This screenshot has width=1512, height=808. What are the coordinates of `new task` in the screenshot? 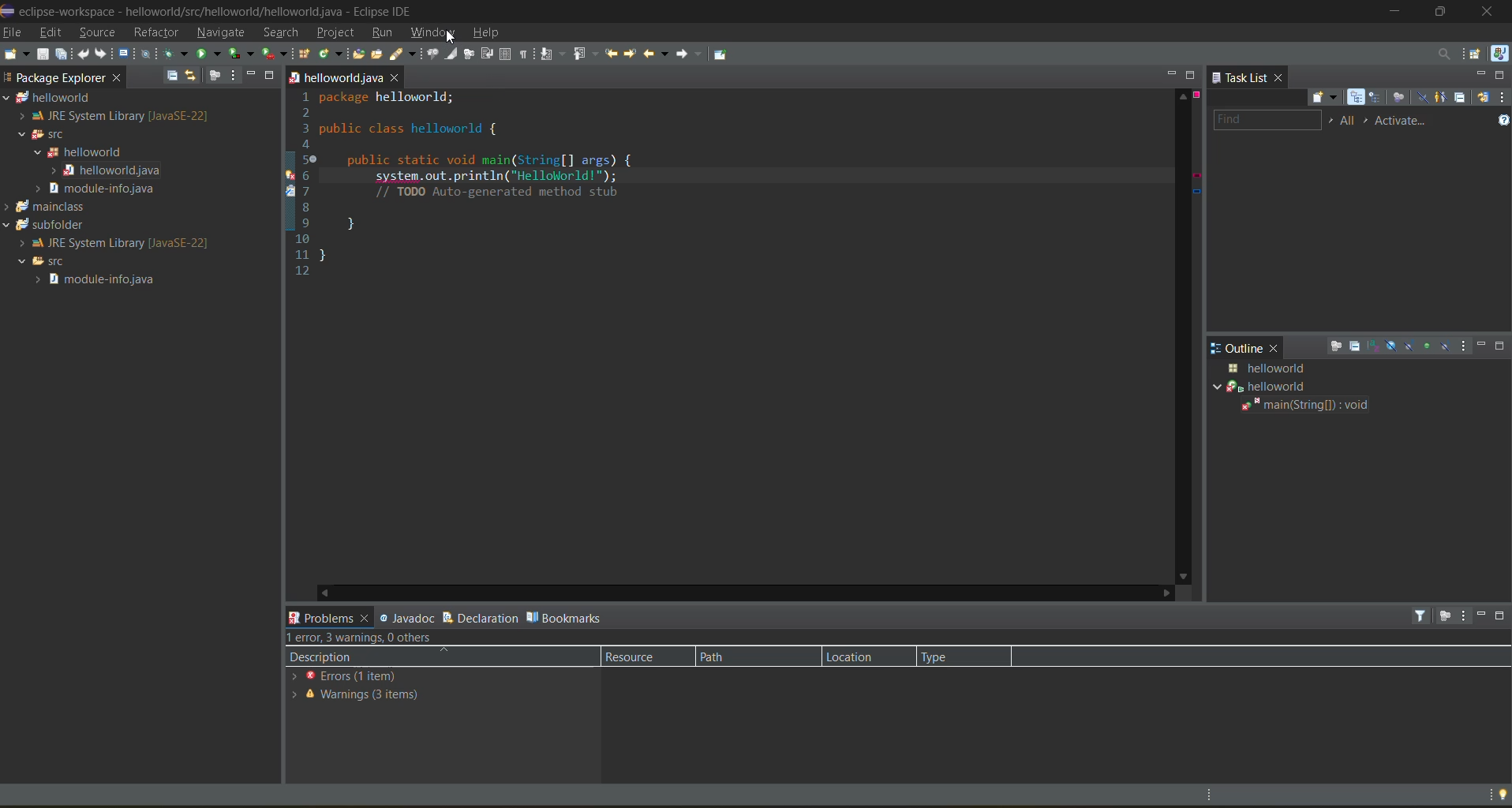 It's located at (1327, 96).